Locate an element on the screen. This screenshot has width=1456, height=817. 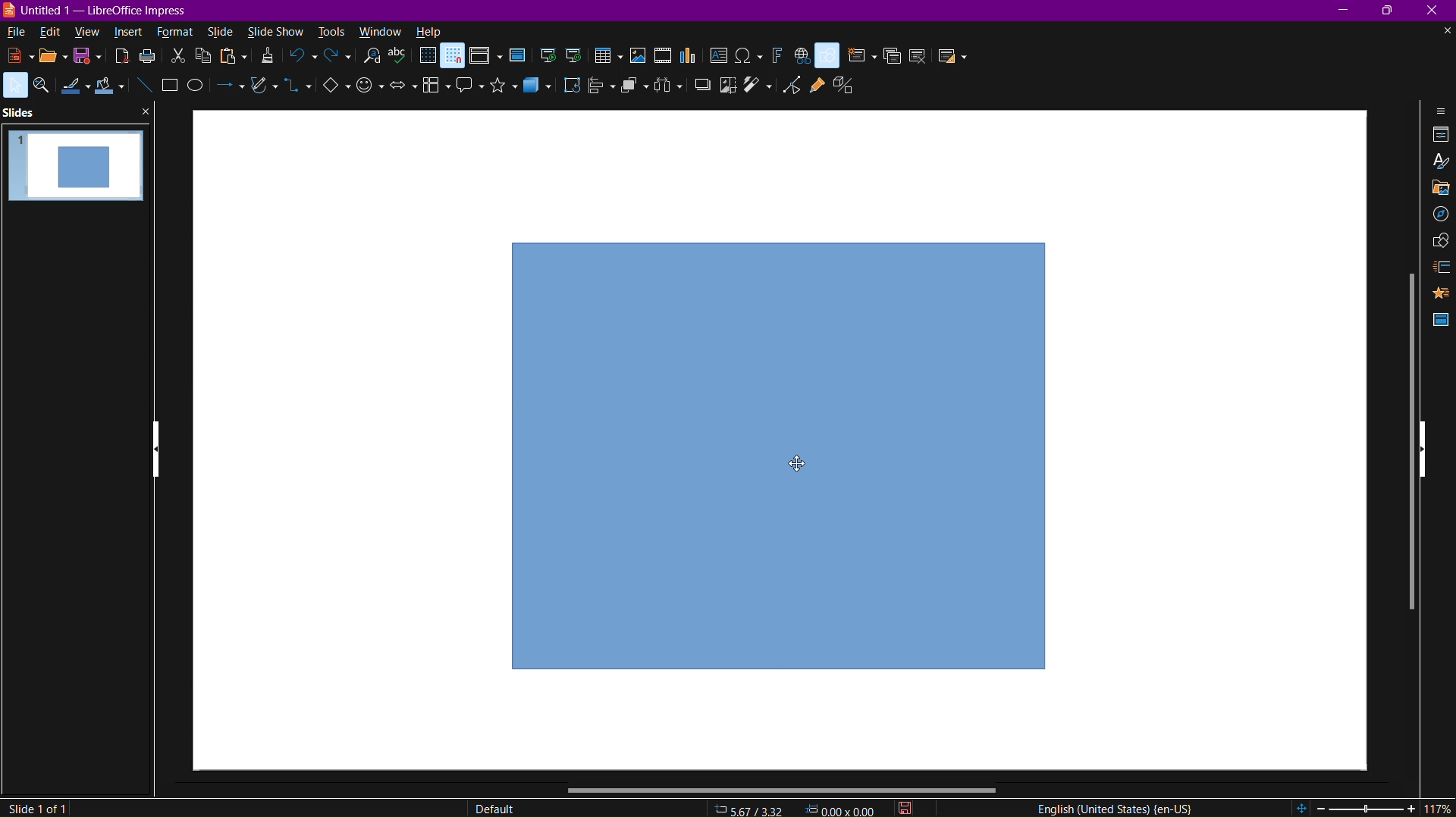
Show Gluepoint Function is located at coordinates (817, 85).